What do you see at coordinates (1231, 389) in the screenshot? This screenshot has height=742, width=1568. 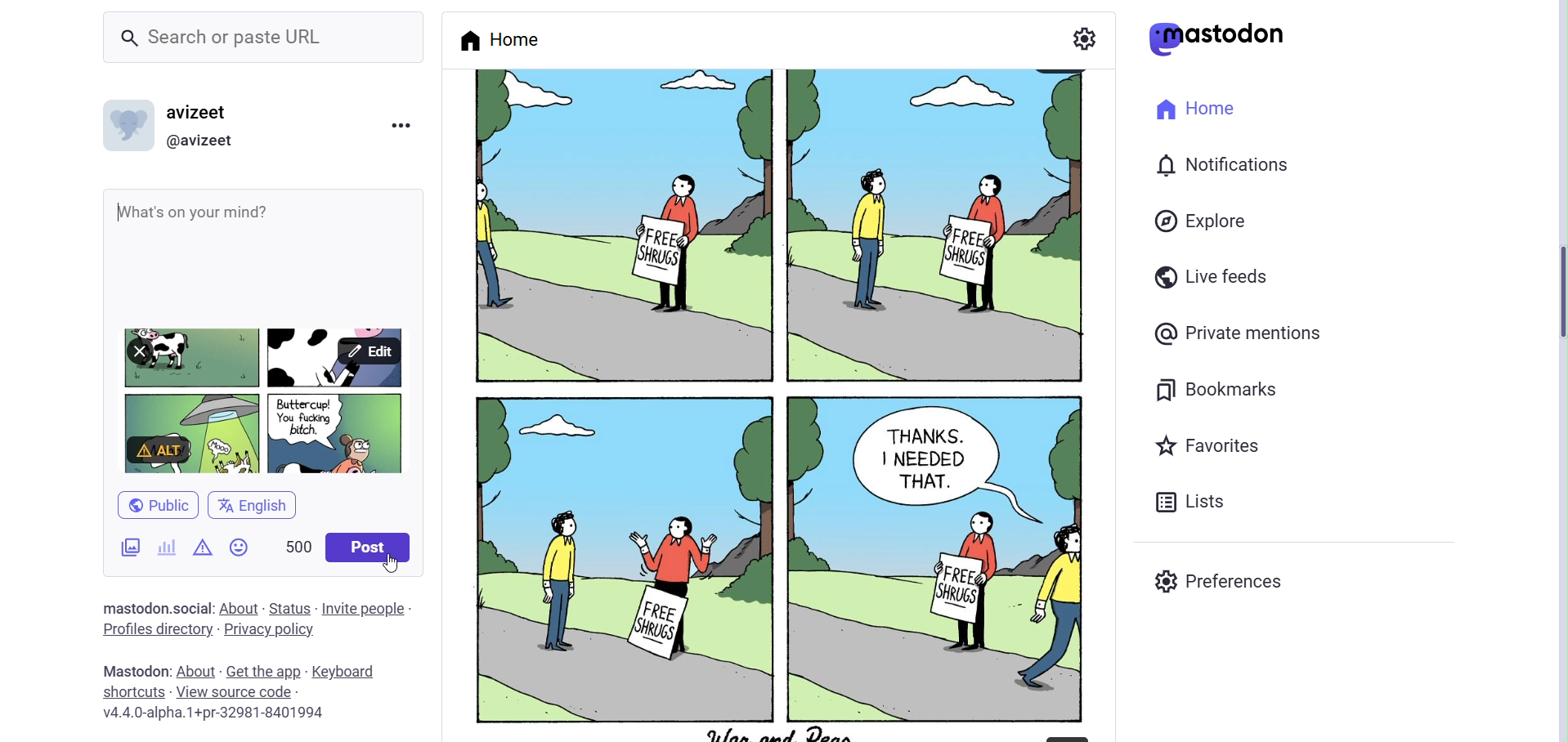 I see `Bookmarks` at bounding box center [1231, 389].